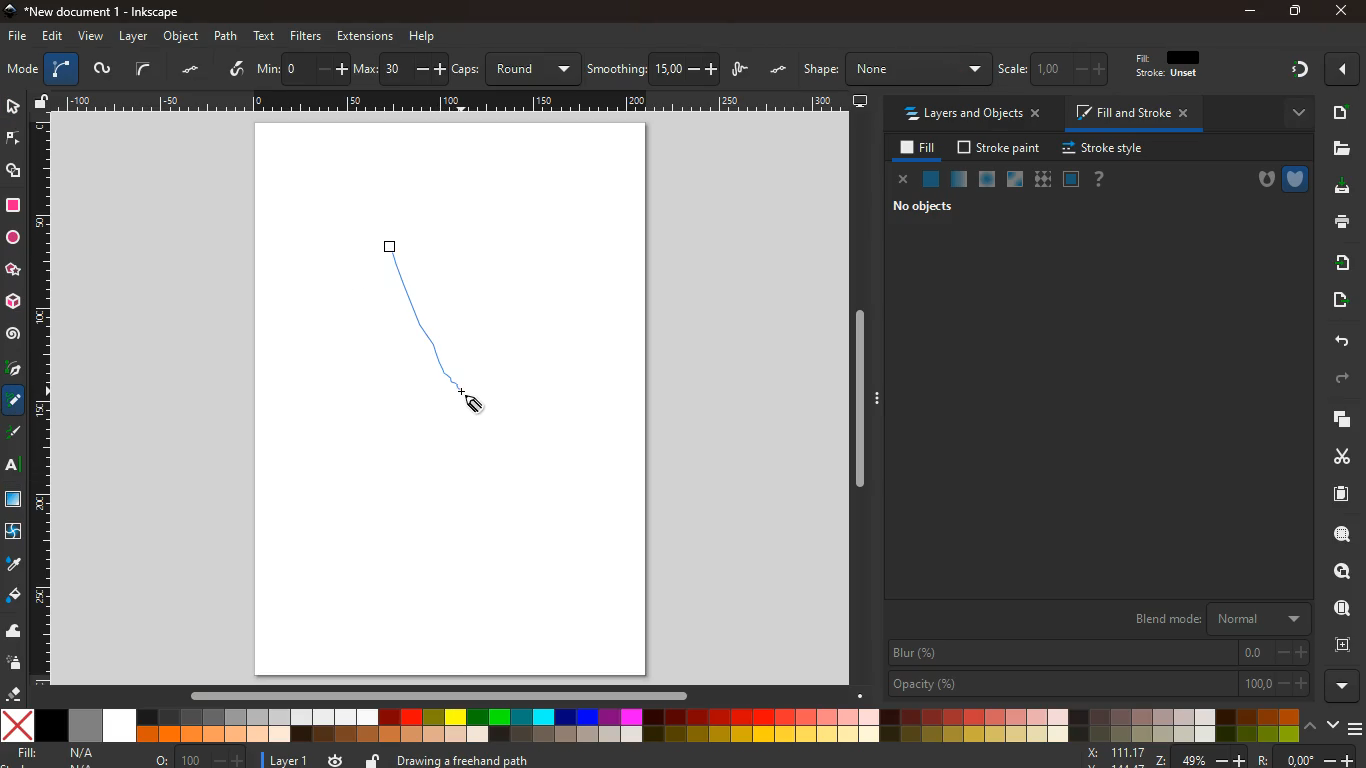 The image size is (1366, 768). I want to click on frame, so click(1347, 645).